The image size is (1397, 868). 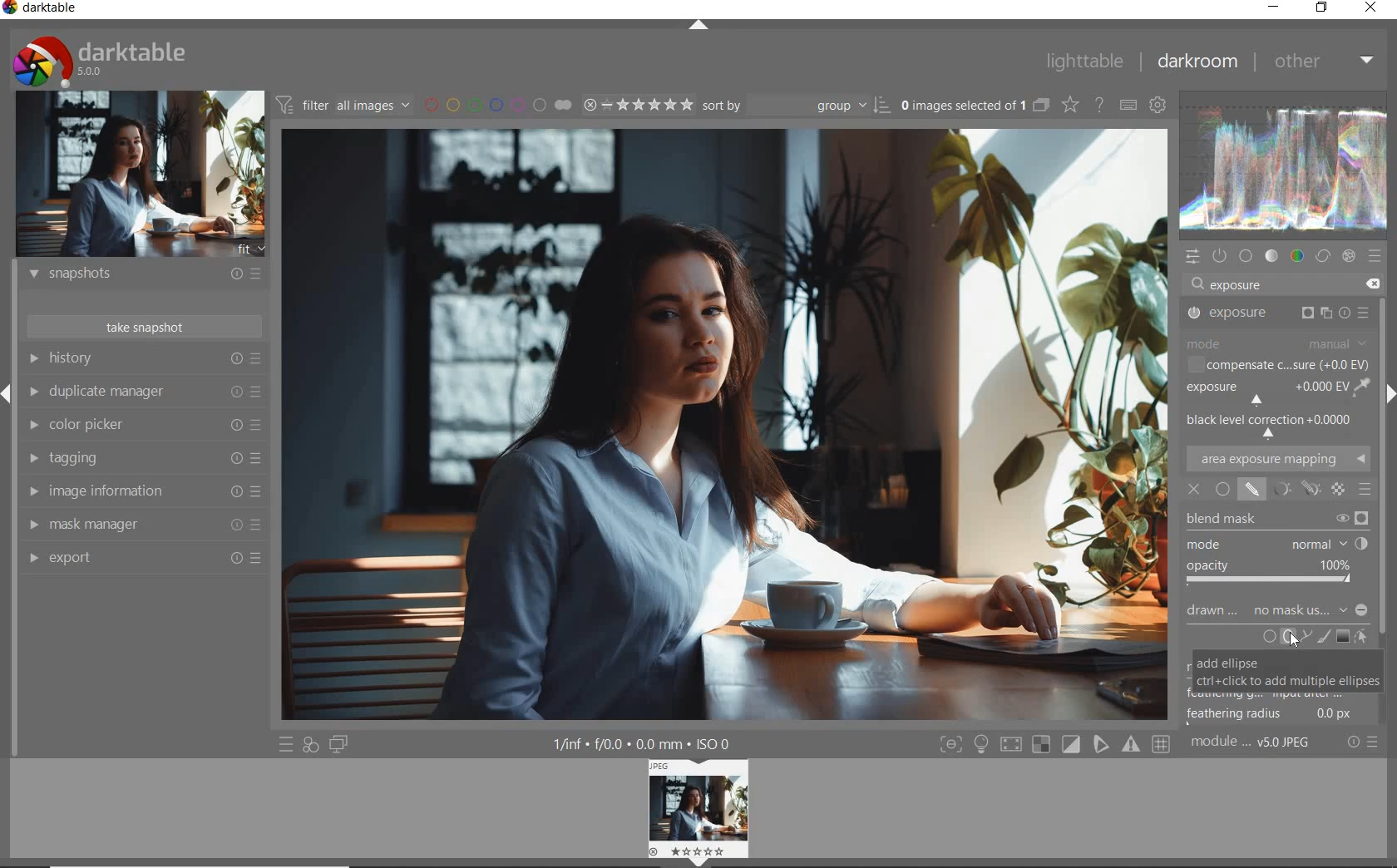 What do you see at coordinates (1362, 742) in the screenshot?
I see `reset or presets & preferences` at bounding box center [1362, 742].